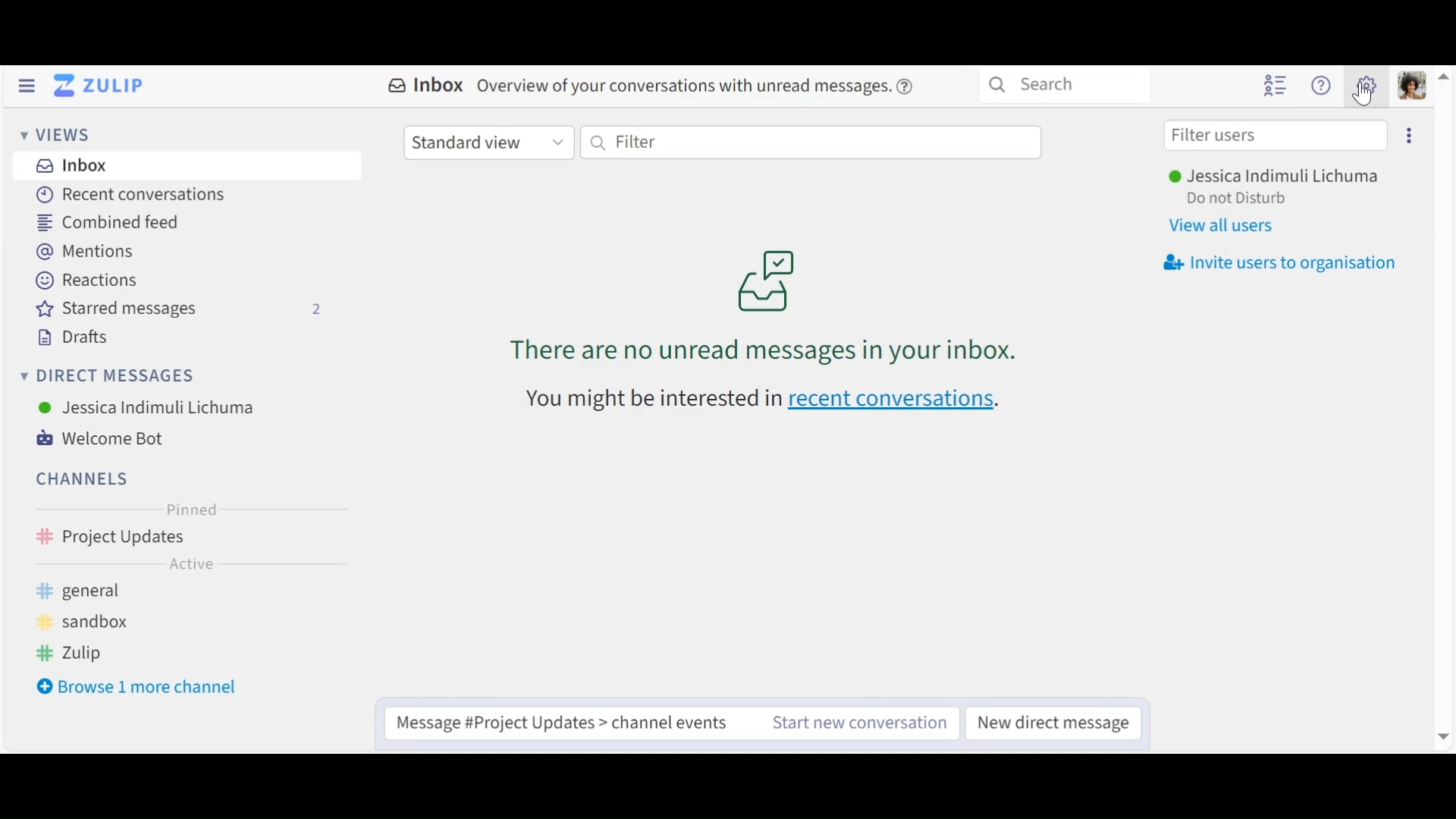  I want to click on Welcome Bot, so click(99, 437).